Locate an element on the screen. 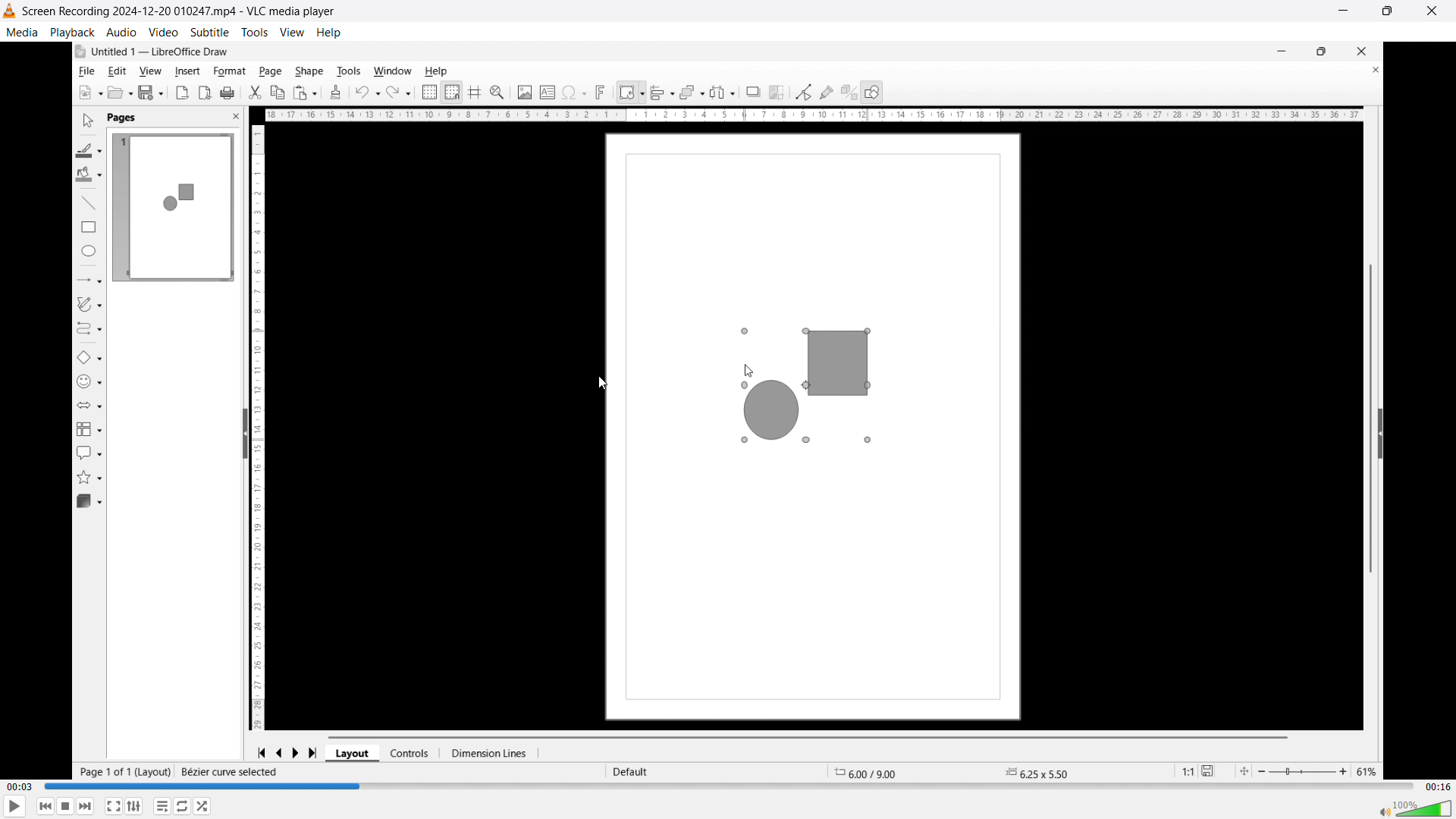 The height and width of the screenshot is (819, 1456). Backward or previous media  is located at coordinates (44, 806).